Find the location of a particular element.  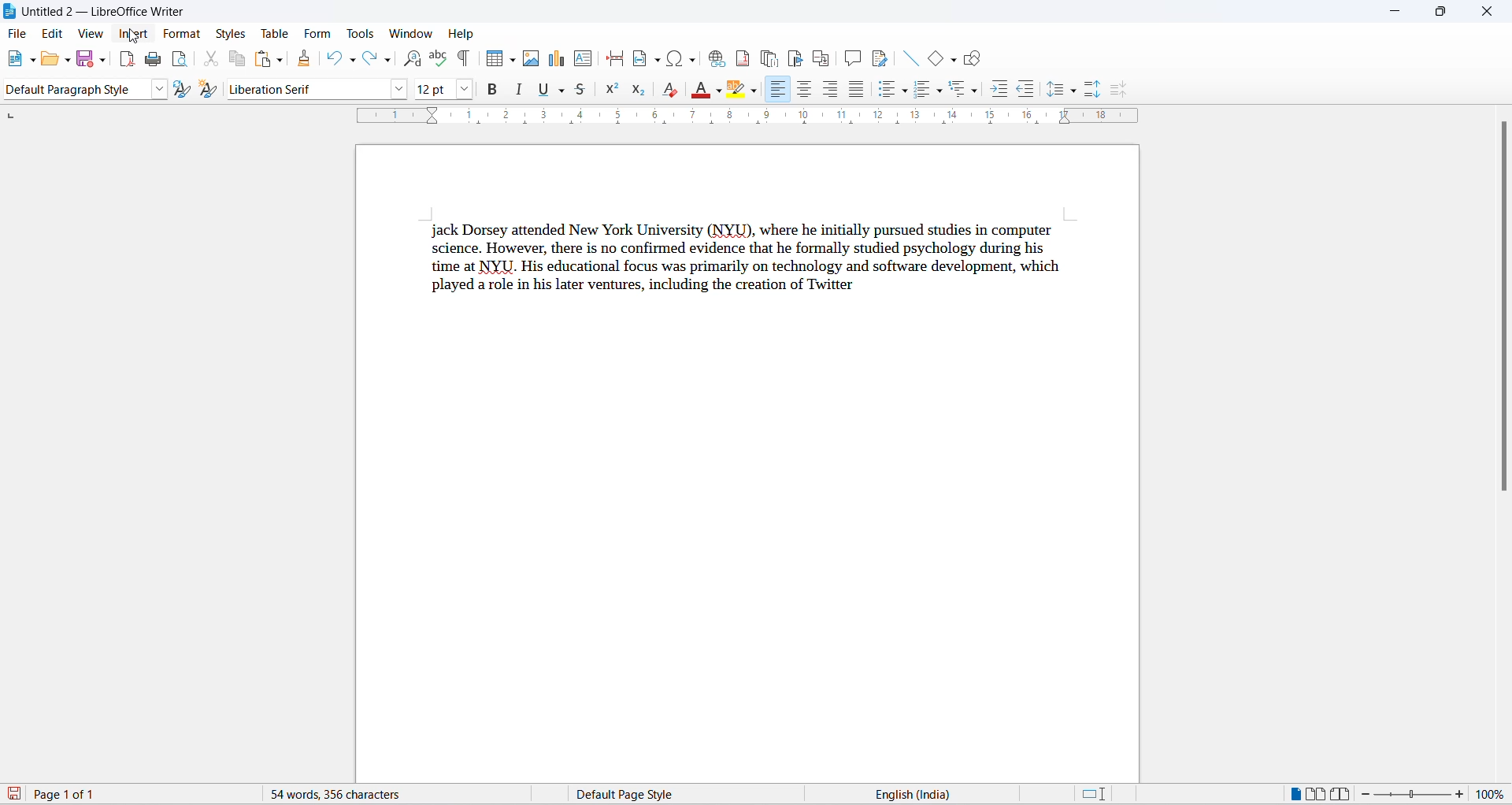

insert special character is located at coordinates (671, 58).